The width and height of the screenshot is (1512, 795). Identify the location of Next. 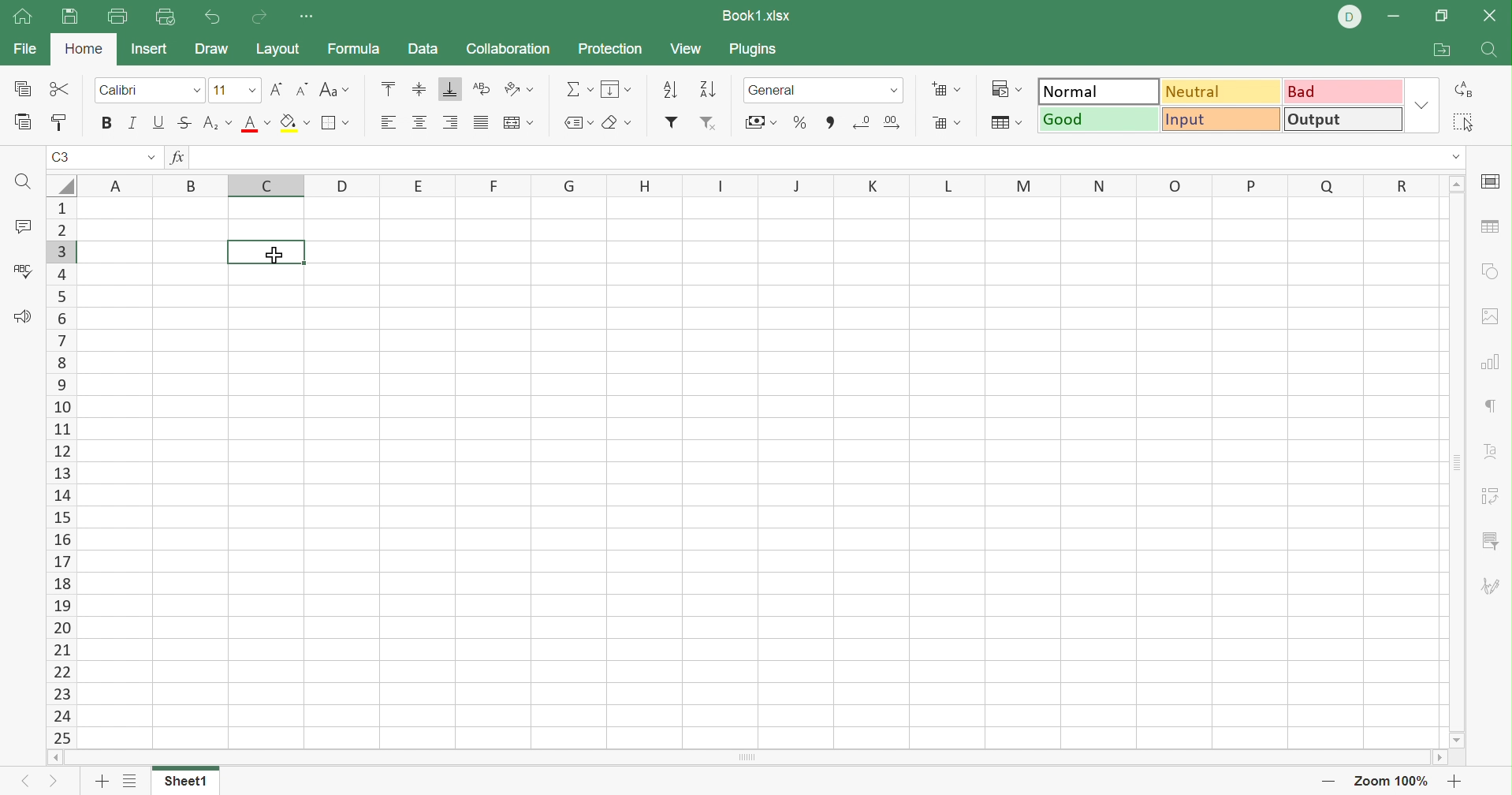
(55, 780).